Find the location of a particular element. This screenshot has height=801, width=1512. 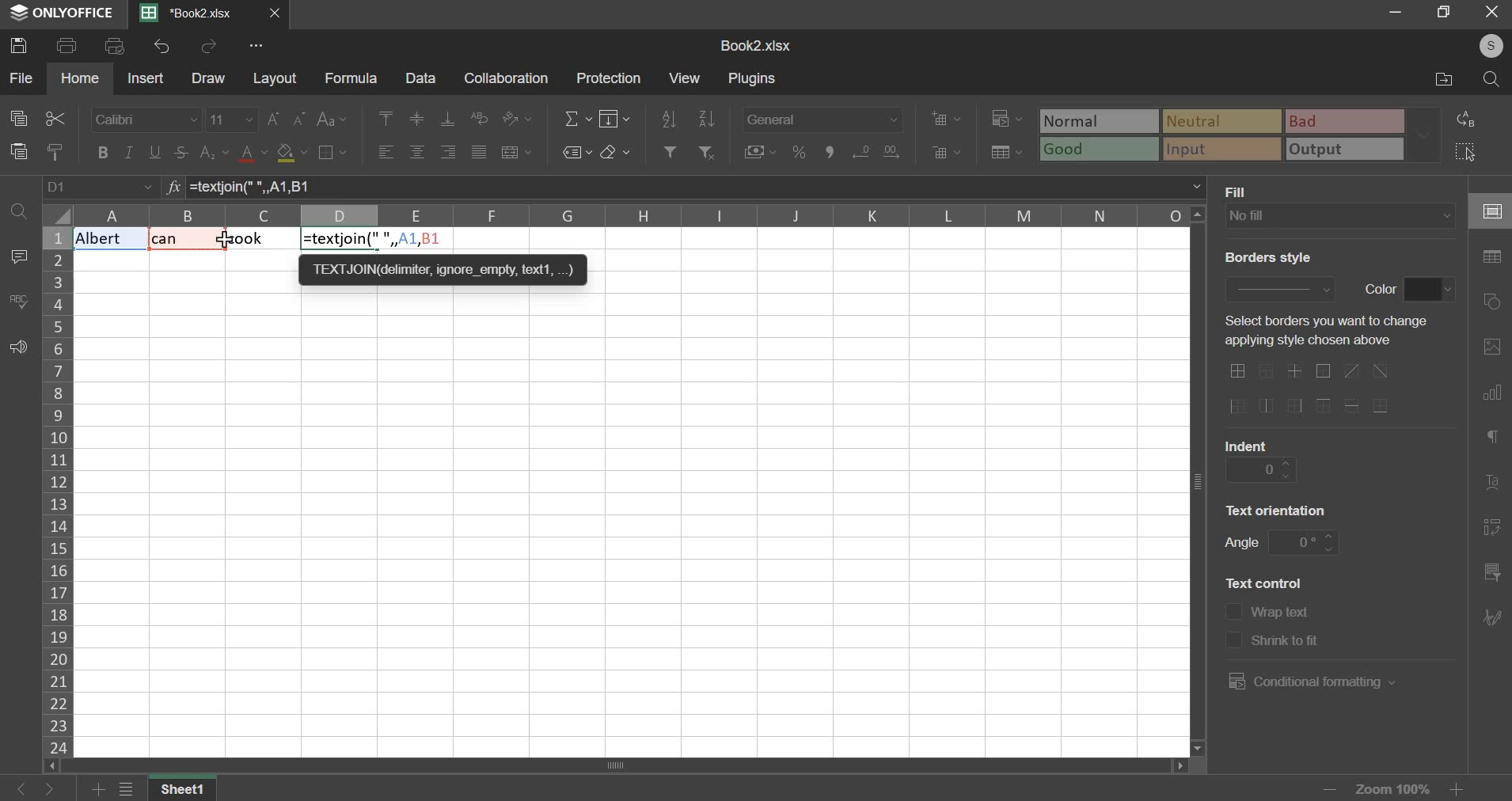

text is located at coordinates (1241, 191).